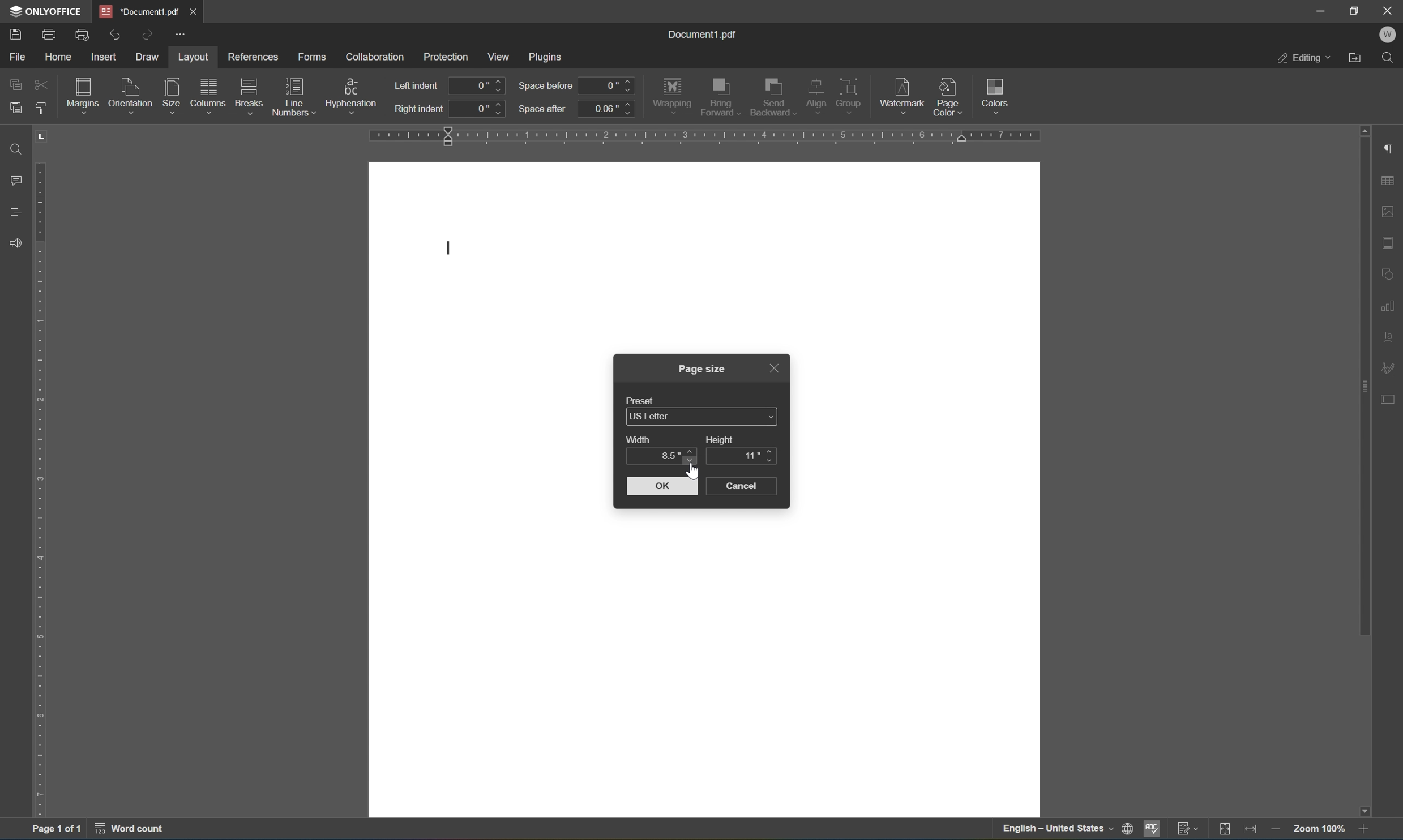 This screenshot has height=840, width=1403. I want to click on 11, so click(751, 456).